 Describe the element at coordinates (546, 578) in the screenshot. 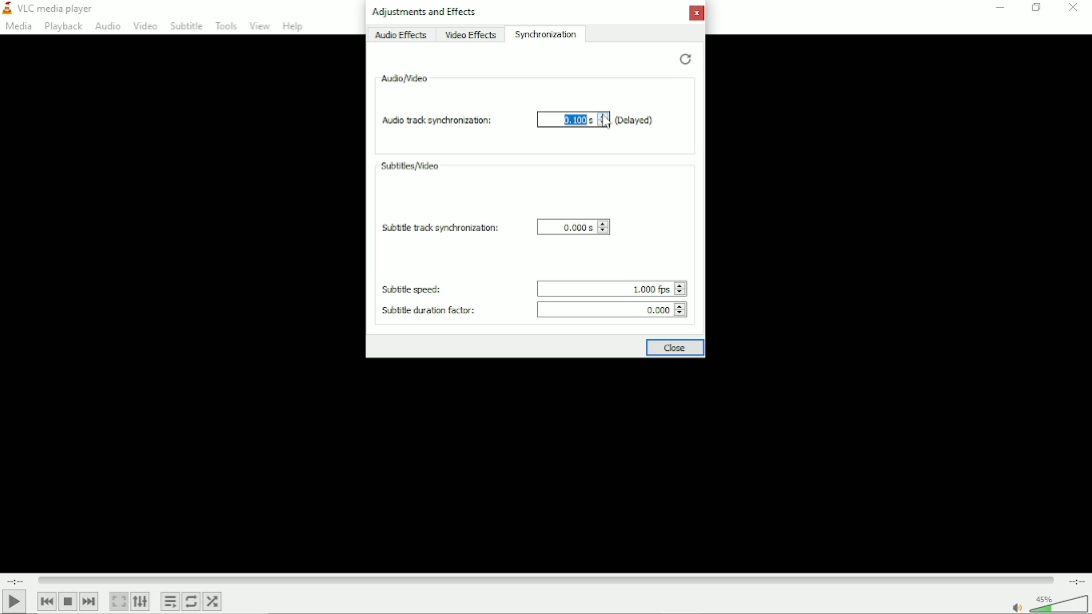

I see `Play duration` at that location.